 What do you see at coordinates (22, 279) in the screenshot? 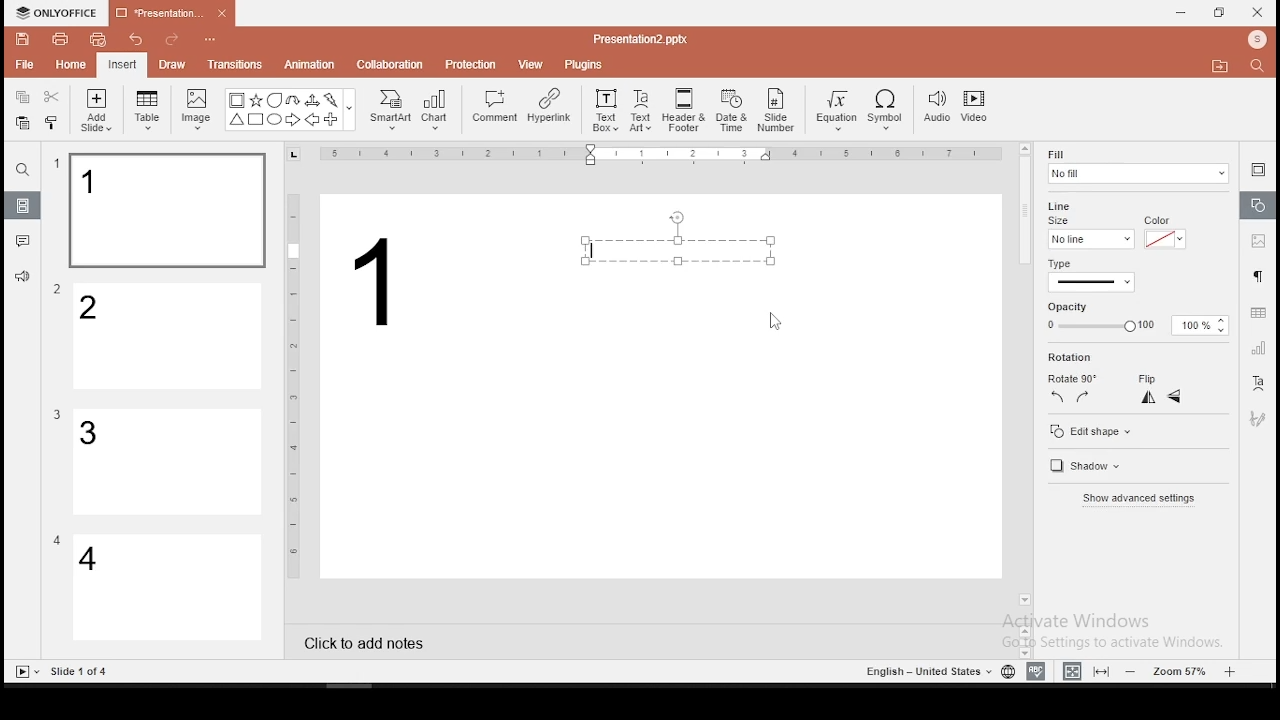
I see `support and feedback` at bounding box center [22, 279].